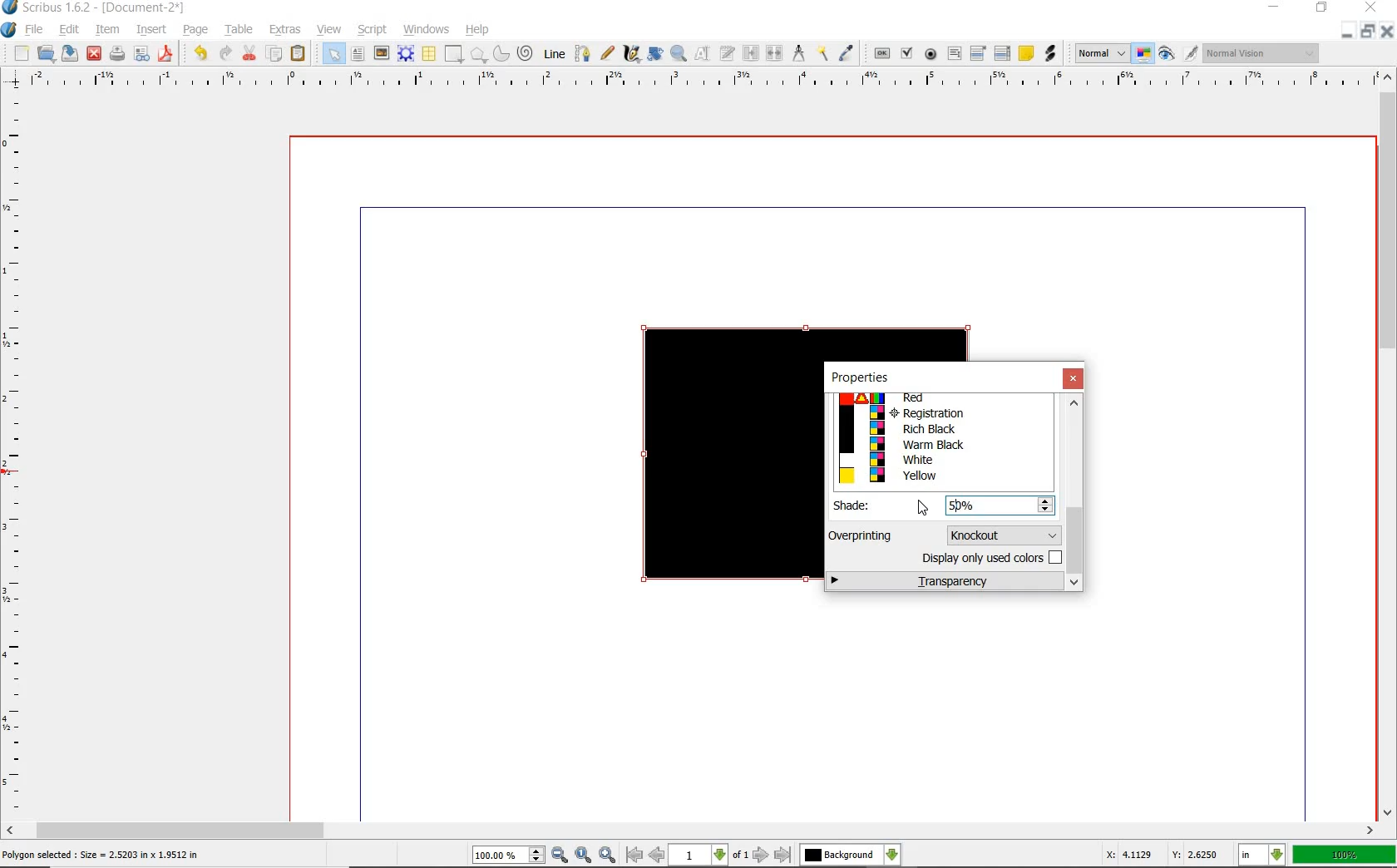 The height and width of the screenshot is (868, 1397). What do you see at coordinates (45, 55) in the screenshot?
I see `open` at bounding box center [45, 55].